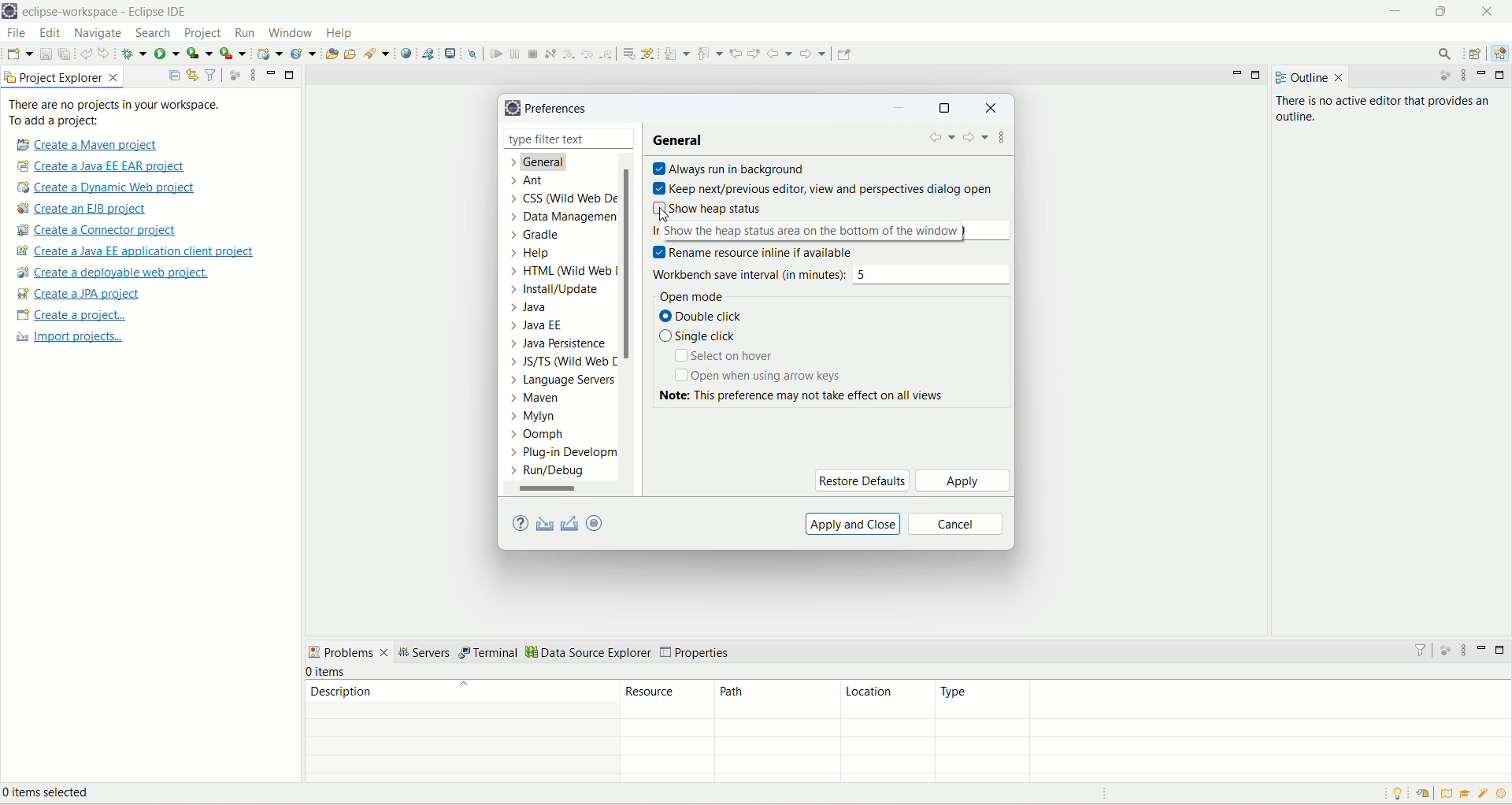 Image resolution: width=1512 pixels, height=805 pixels. Describe the element at coordinates (83, 144) in the screenshot. I see `create a Maven project` at that location.